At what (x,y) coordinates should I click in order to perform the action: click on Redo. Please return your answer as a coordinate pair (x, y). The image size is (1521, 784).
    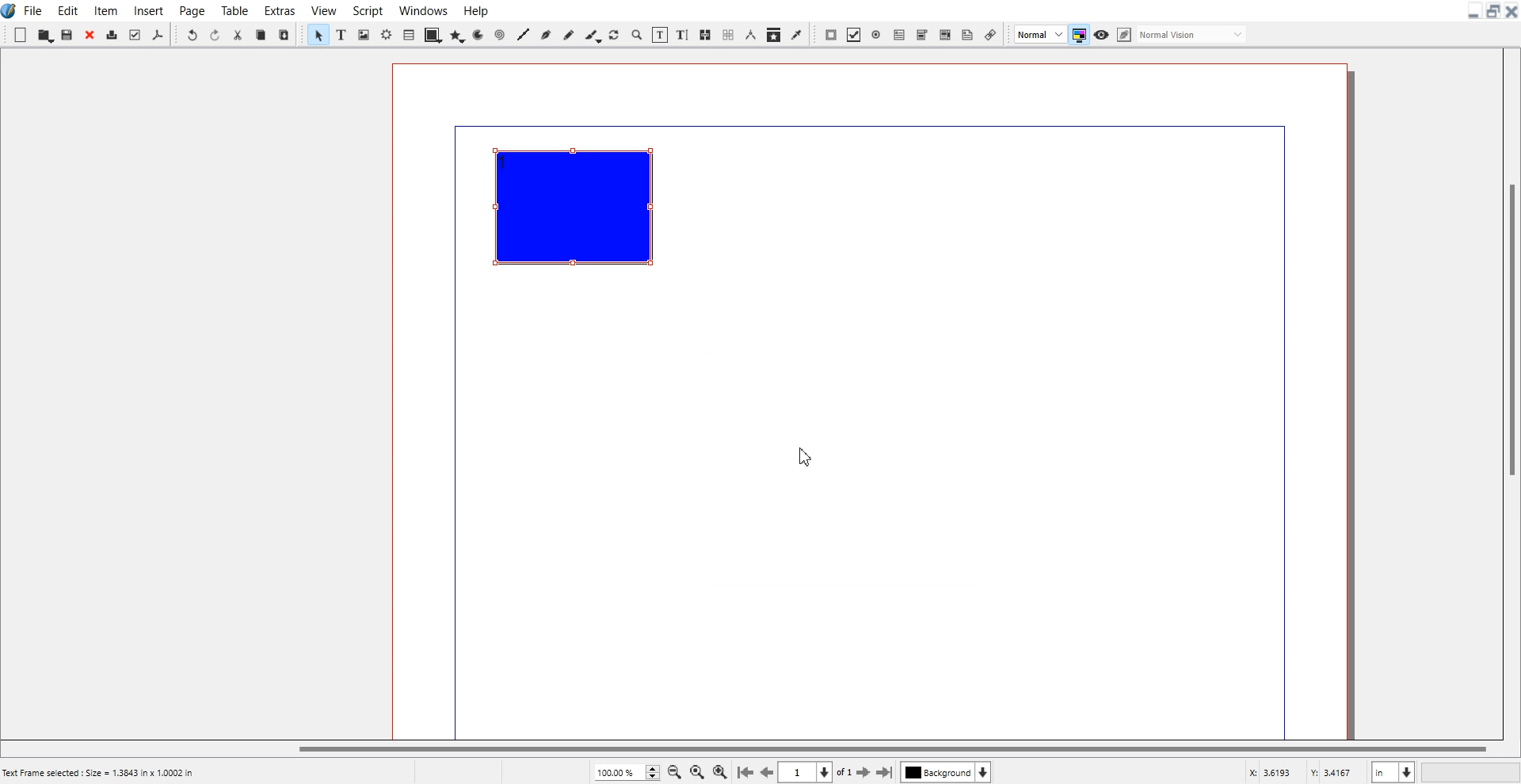
    Looking at the image, I should click on (215, 33).